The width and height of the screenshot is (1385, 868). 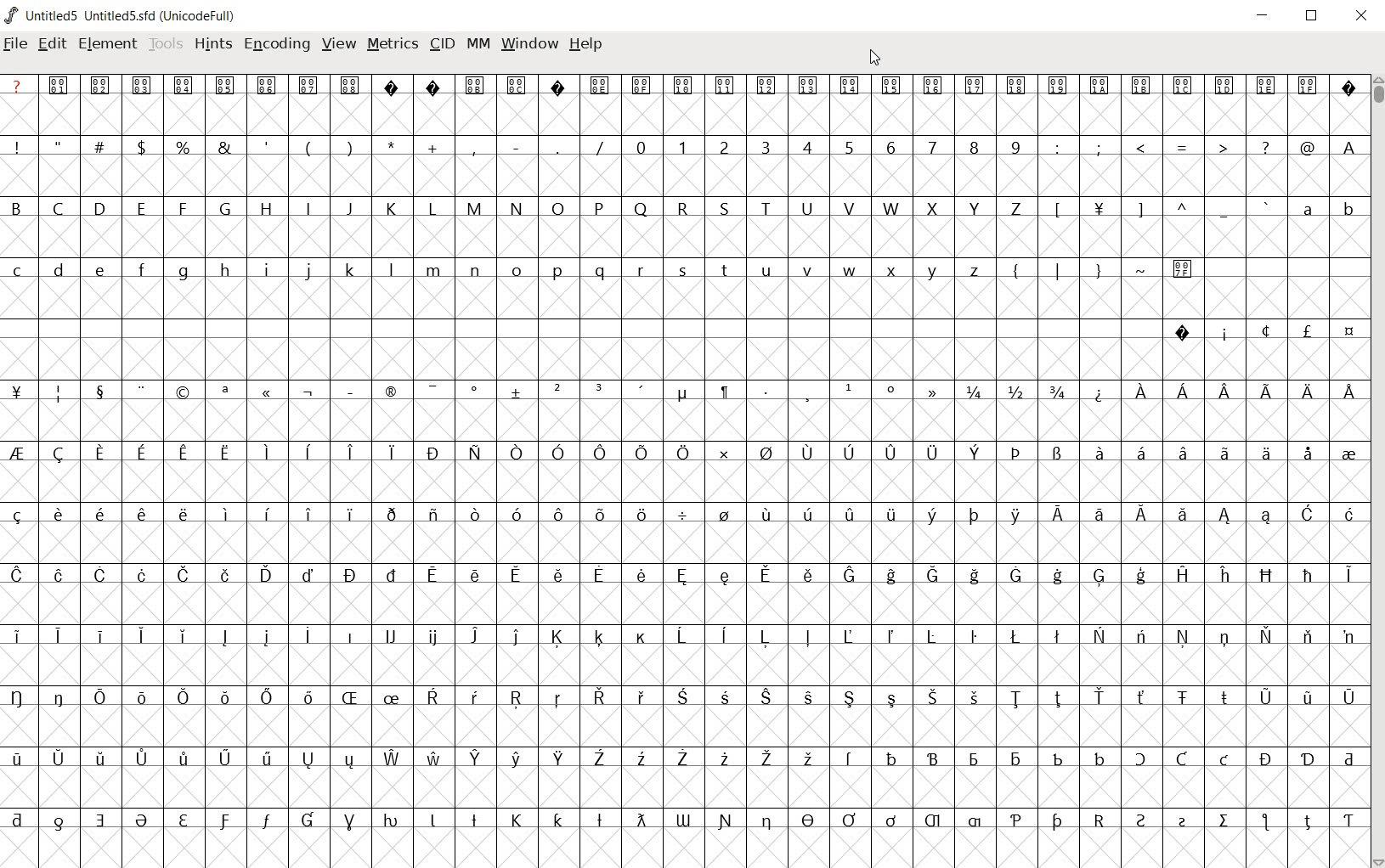 What do you see at coordinates (1099, 149) in the screenshot?
I see `;` at bounding box center [1099, 149].